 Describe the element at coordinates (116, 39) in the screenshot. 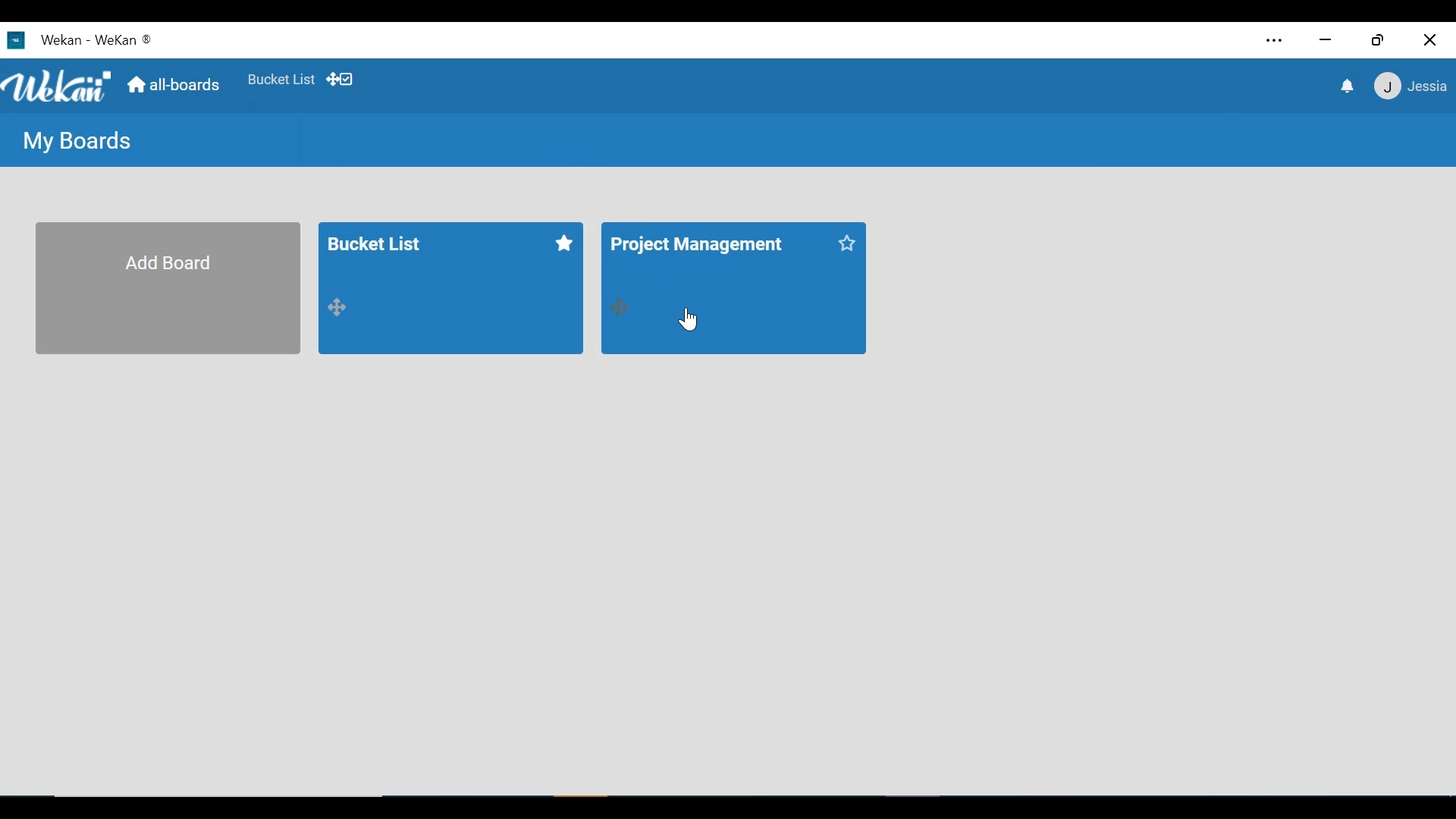

I see `Wekan- wekan` at that location.